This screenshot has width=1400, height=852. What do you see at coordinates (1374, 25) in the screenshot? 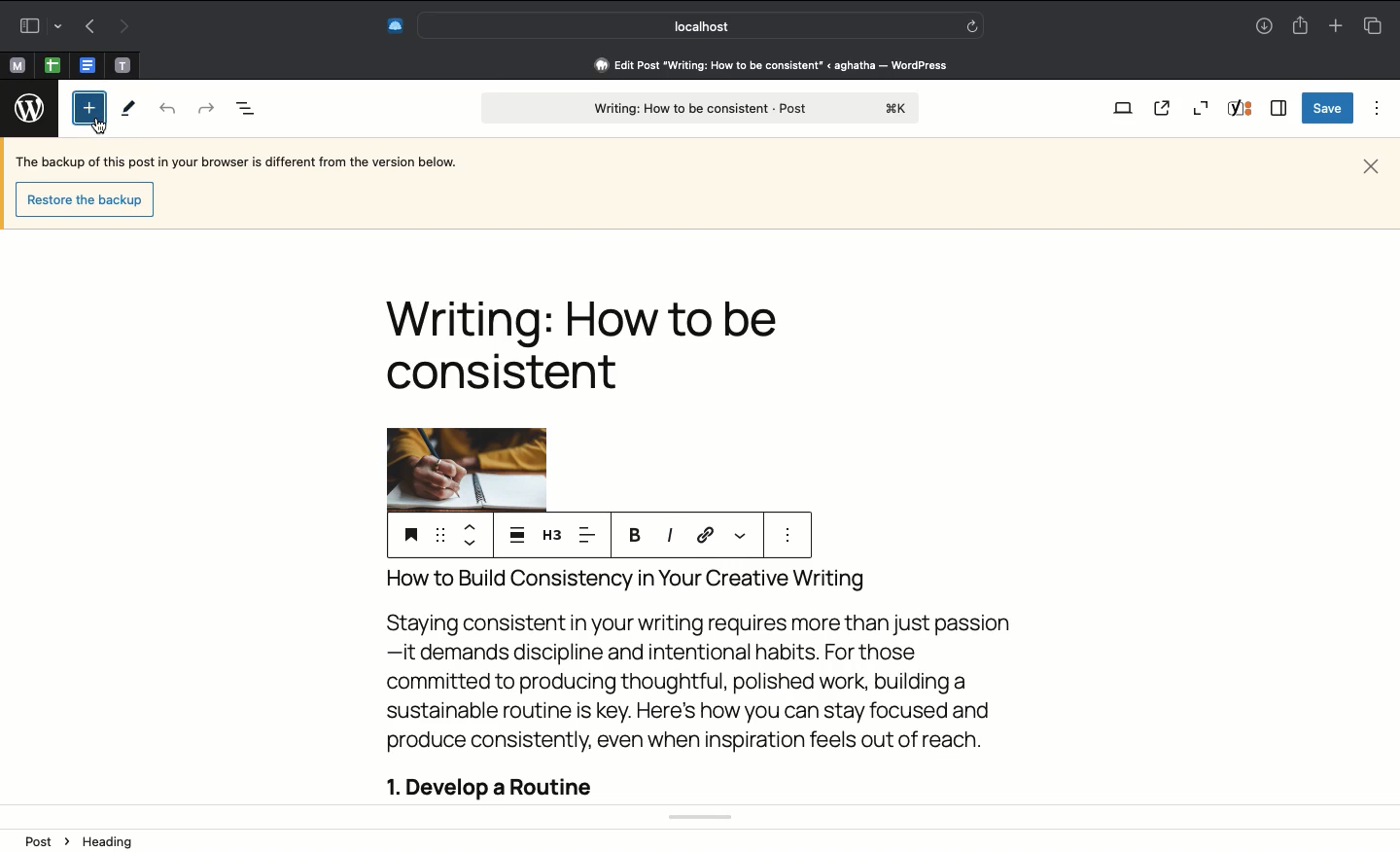
I see `Tabs` at bounding box center [1374, 25].